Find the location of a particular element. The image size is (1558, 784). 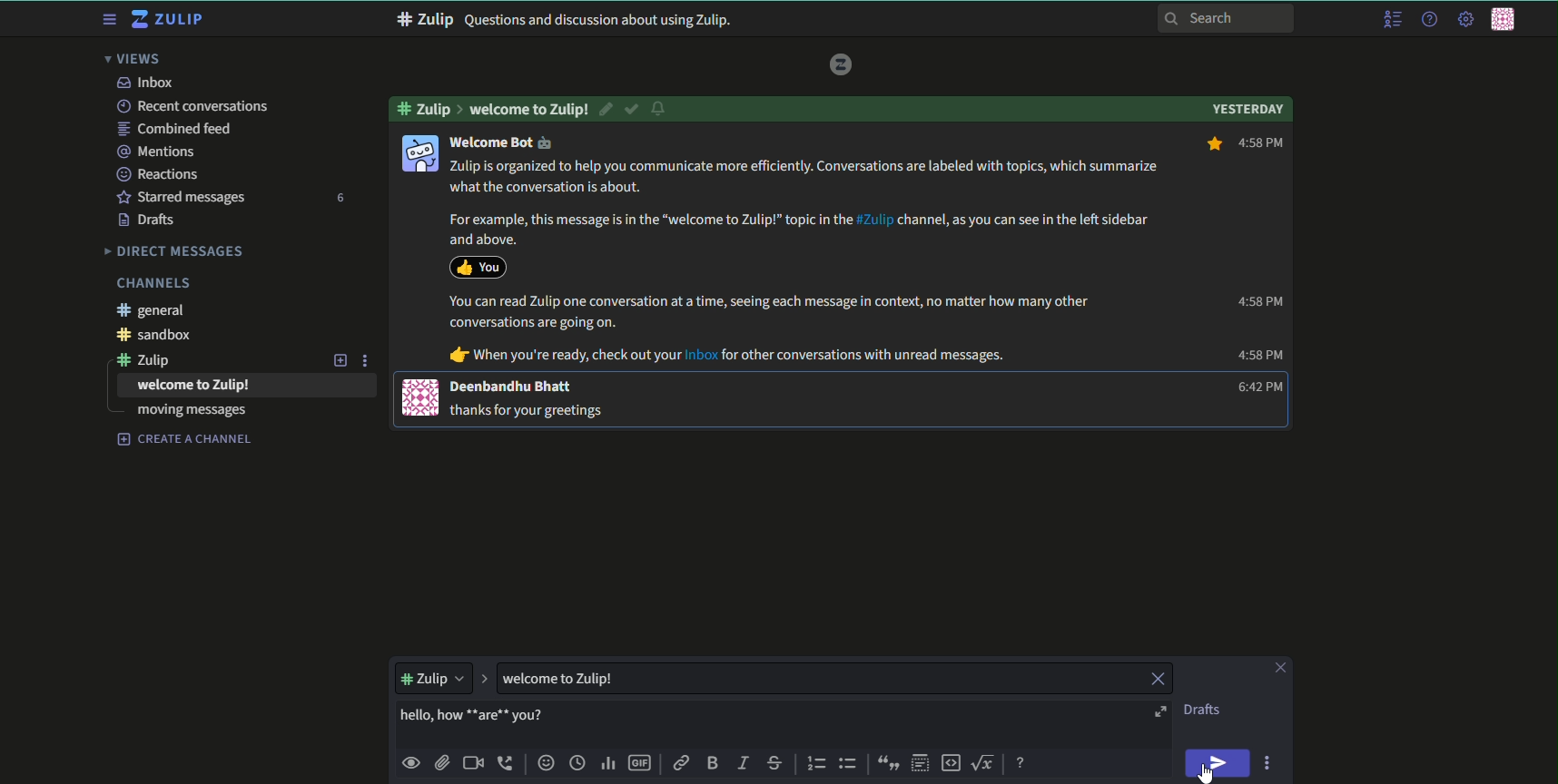

cursor is located at coordinates (1209, 771).